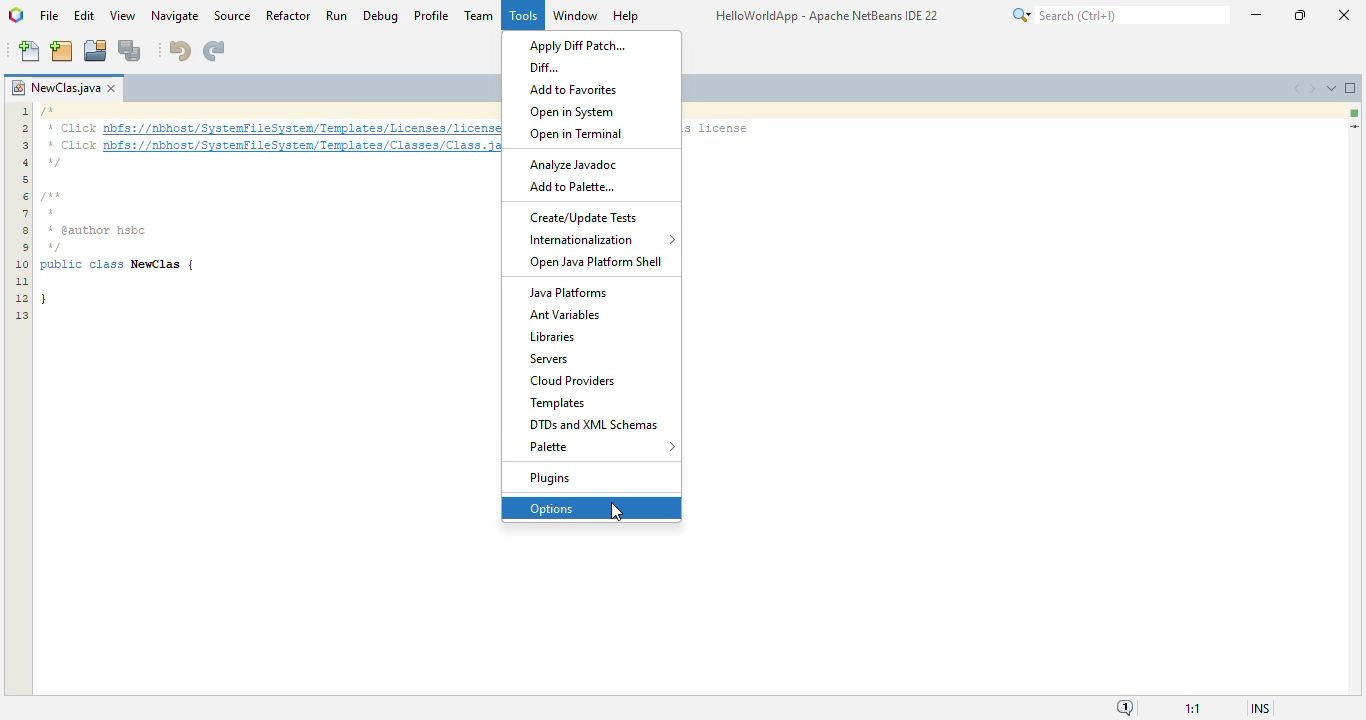 The height and width of the screenshot is (720, 1366). What do you see at coordinates (557, 404) in the screenshot?
I see `templates` at bounding box center [557, 404].